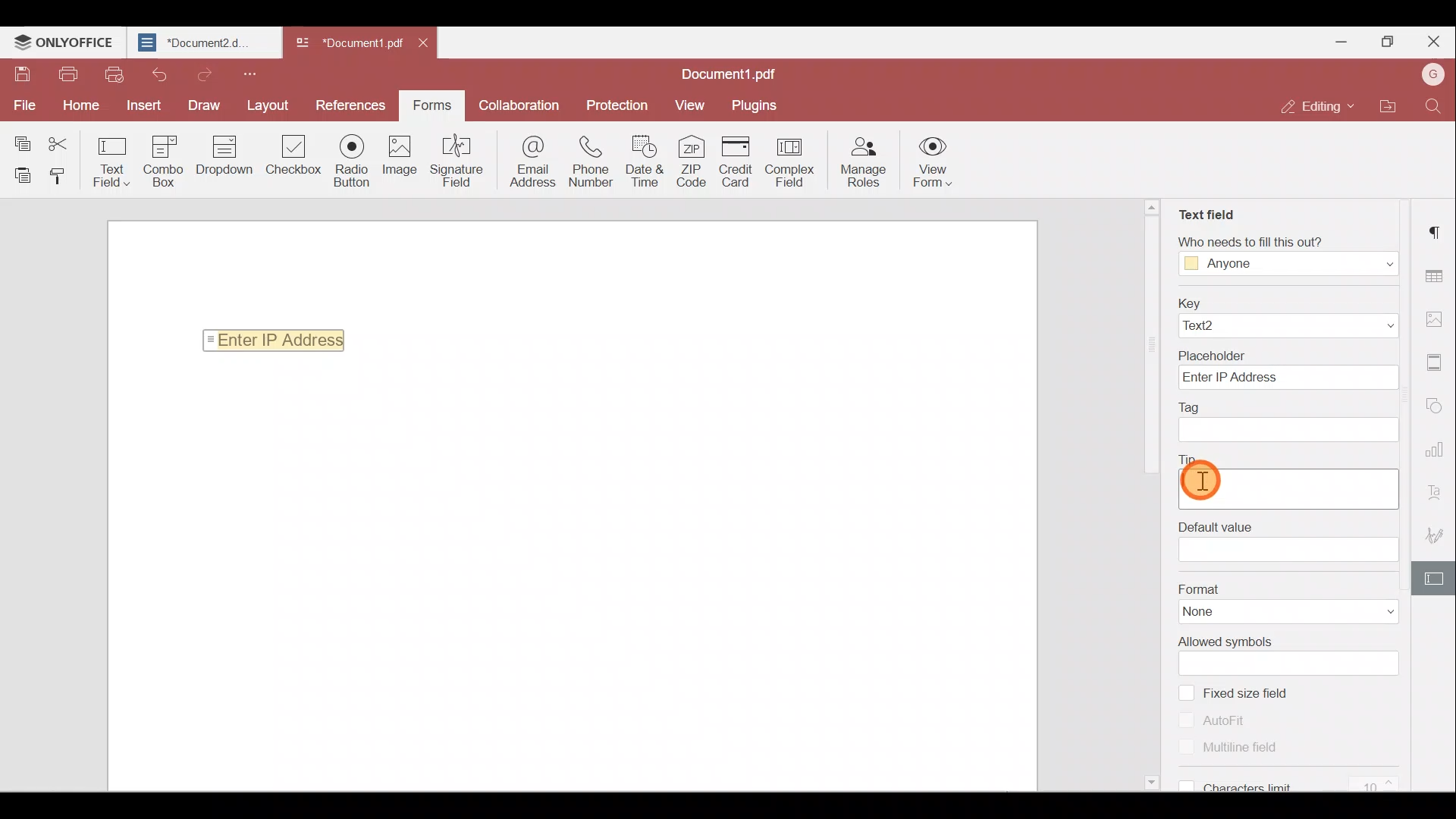 This screenshot has height=819, width=1456. Describe the element at coordinates (1230, 265) in the screenshot. I see `Anyone` at that location.